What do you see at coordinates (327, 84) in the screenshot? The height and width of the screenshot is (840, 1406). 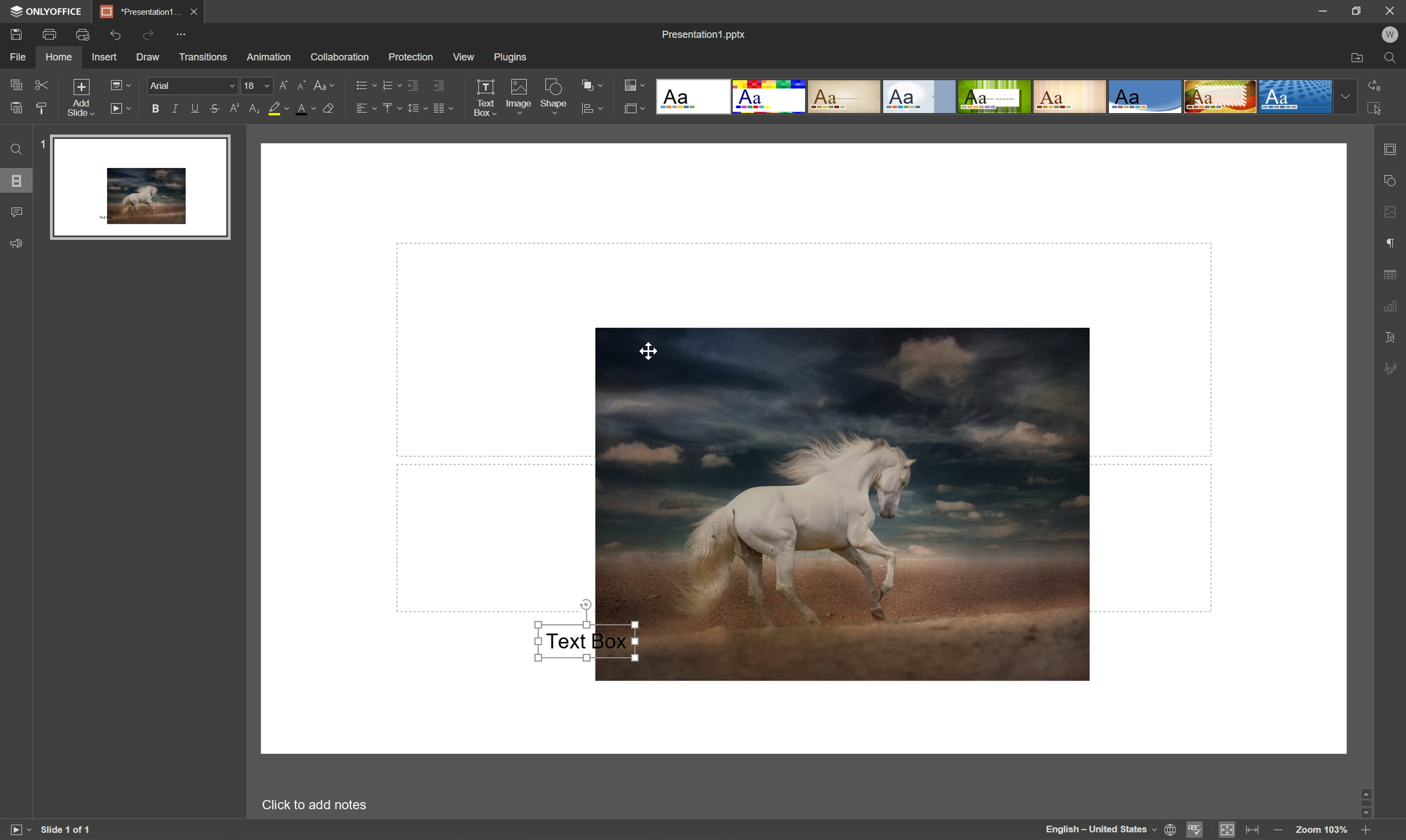 I see `Change case` at bounding box center [327, 84].